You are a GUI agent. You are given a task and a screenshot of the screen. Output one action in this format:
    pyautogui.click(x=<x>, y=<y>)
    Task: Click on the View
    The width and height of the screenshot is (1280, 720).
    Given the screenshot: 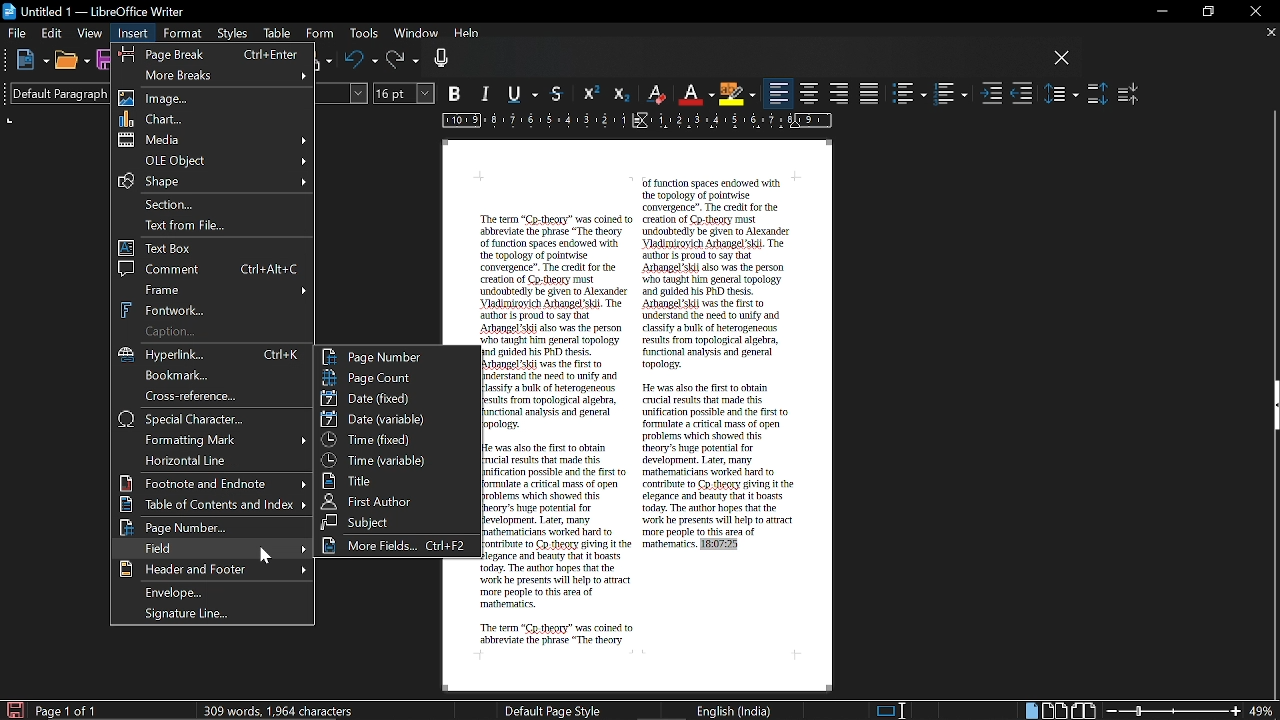 What is the action you would take?
    pyautogui.click(x=90, y=32)
    